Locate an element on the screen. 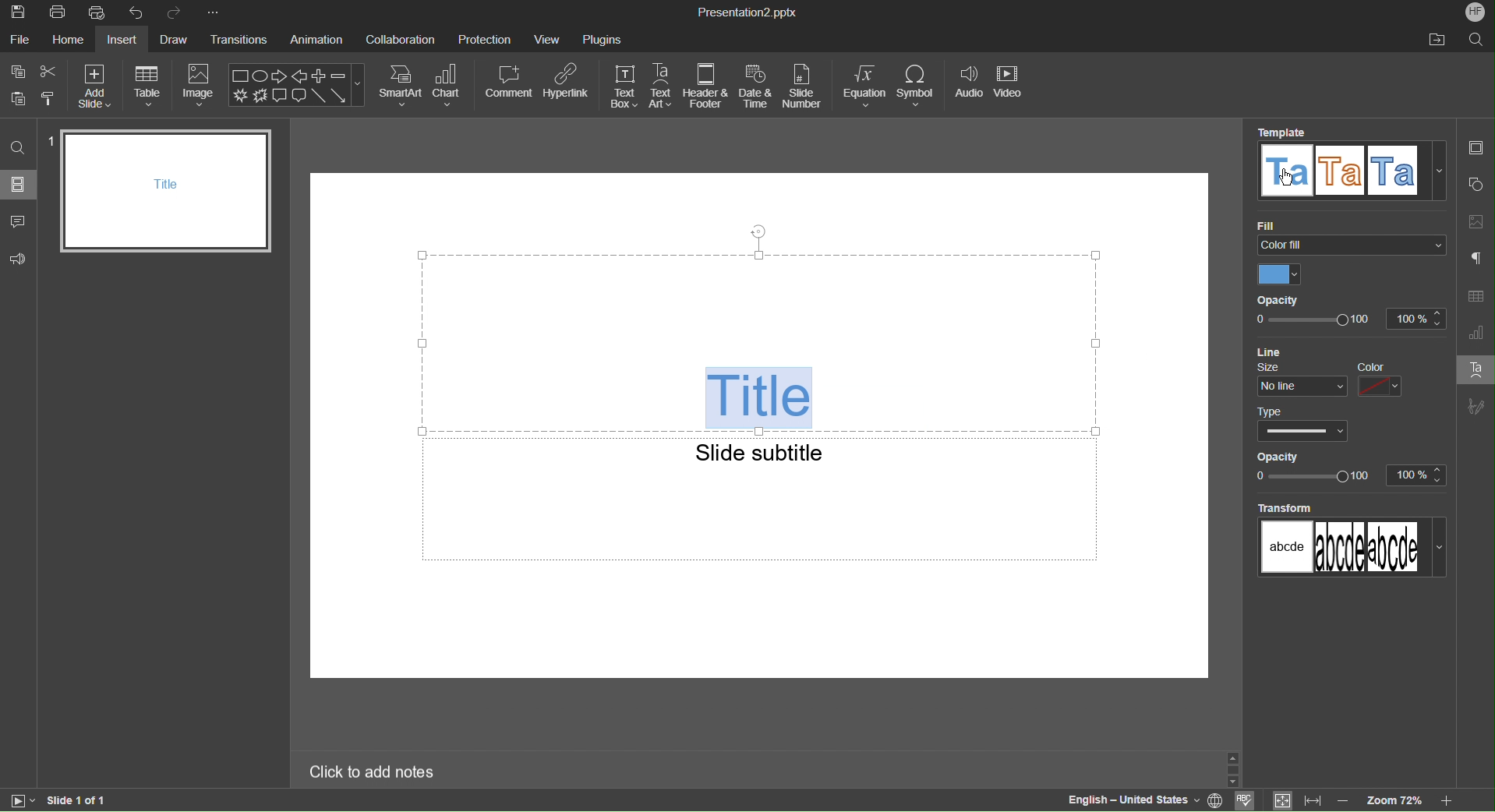 Image resolution: width=1495 pixels, height=812 pixels. Type is located at coordinates (1299, 421).